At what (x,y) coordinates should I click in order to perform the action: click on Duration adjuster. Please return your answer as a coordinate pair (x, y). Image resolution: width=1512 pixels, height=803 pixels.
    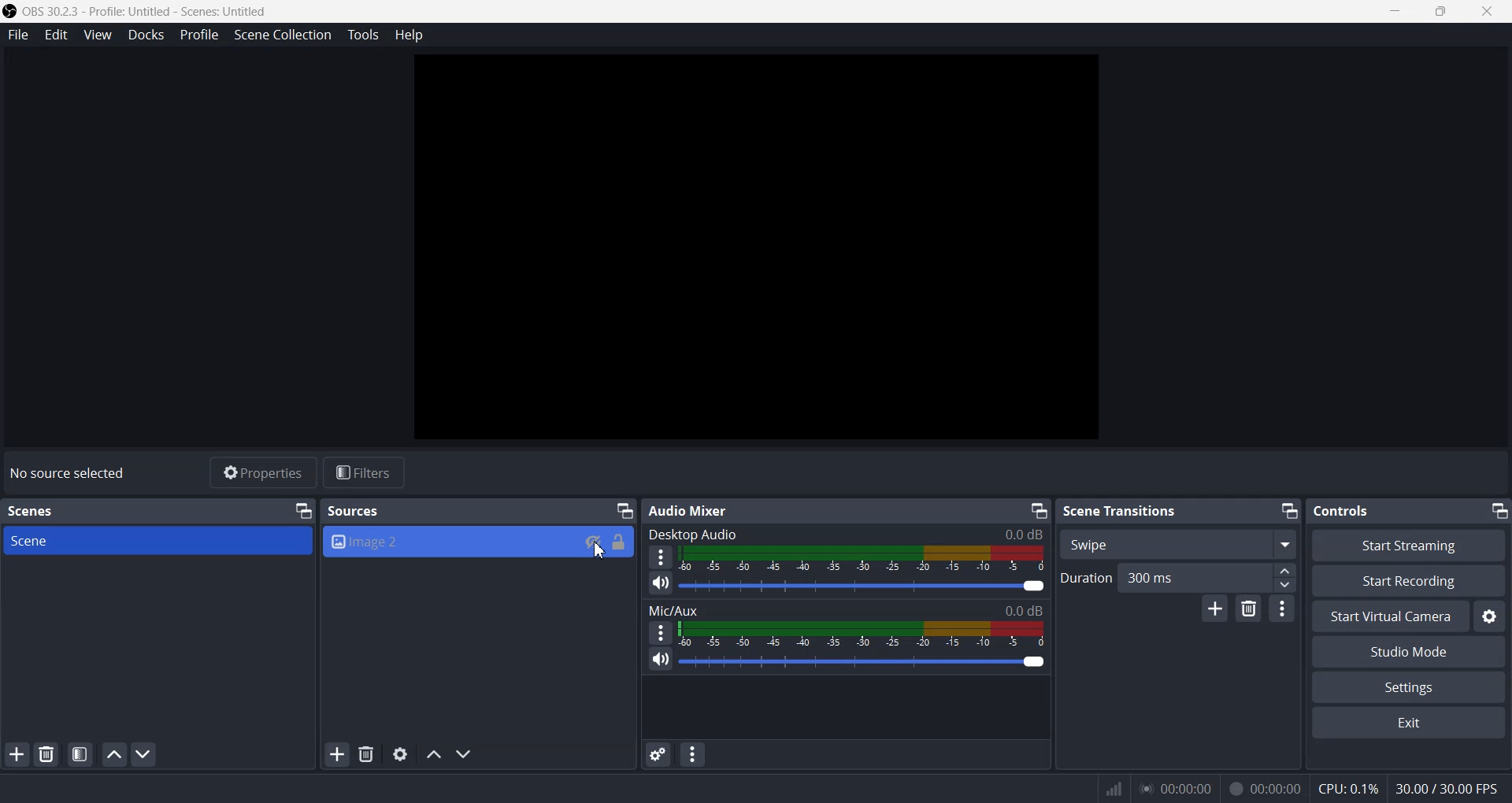
    Looking at the image, I should click on (1274, 576).